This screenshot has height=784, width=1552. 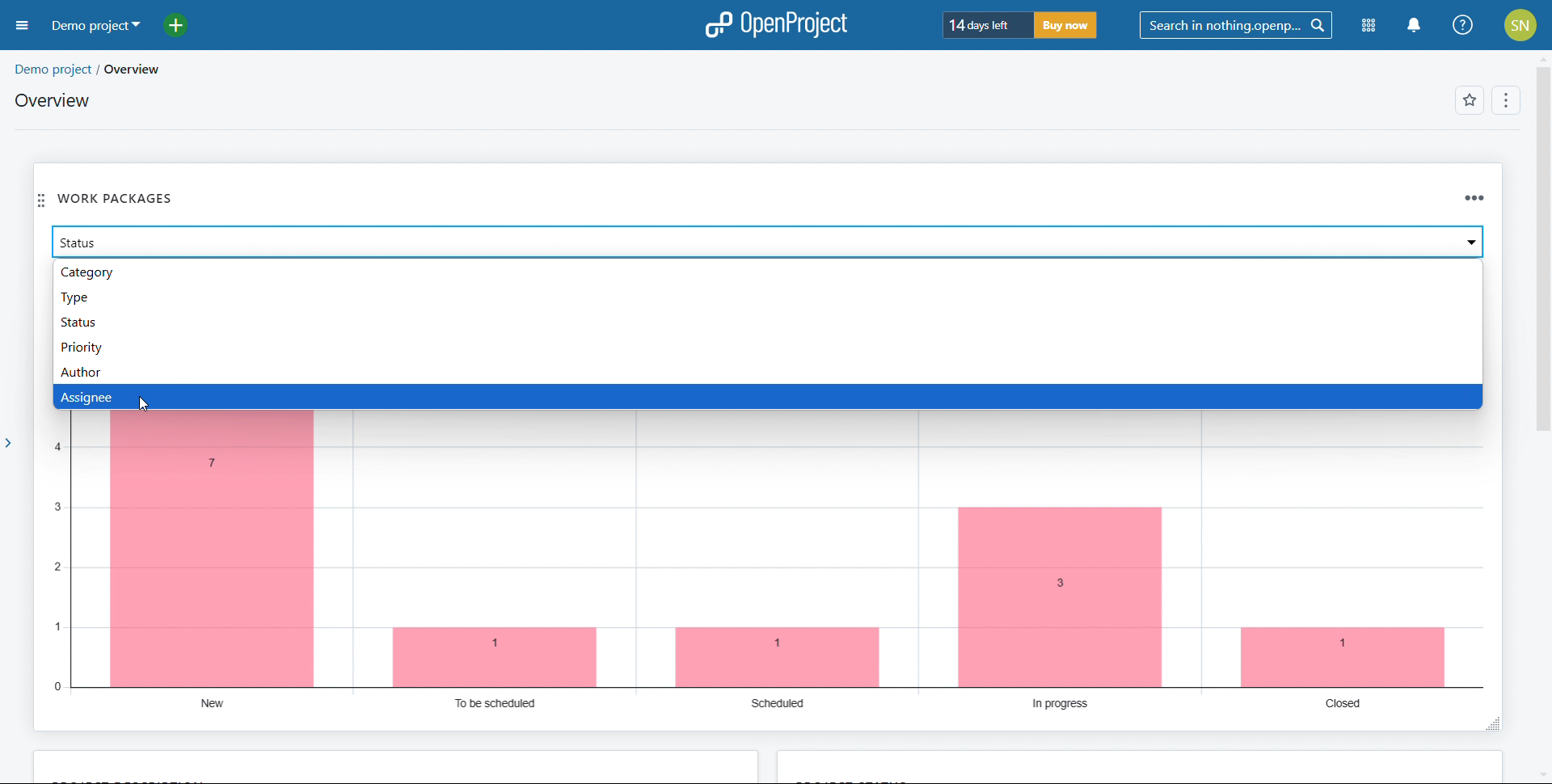 I want to click on demo project selected, so click(x=96, y=27).